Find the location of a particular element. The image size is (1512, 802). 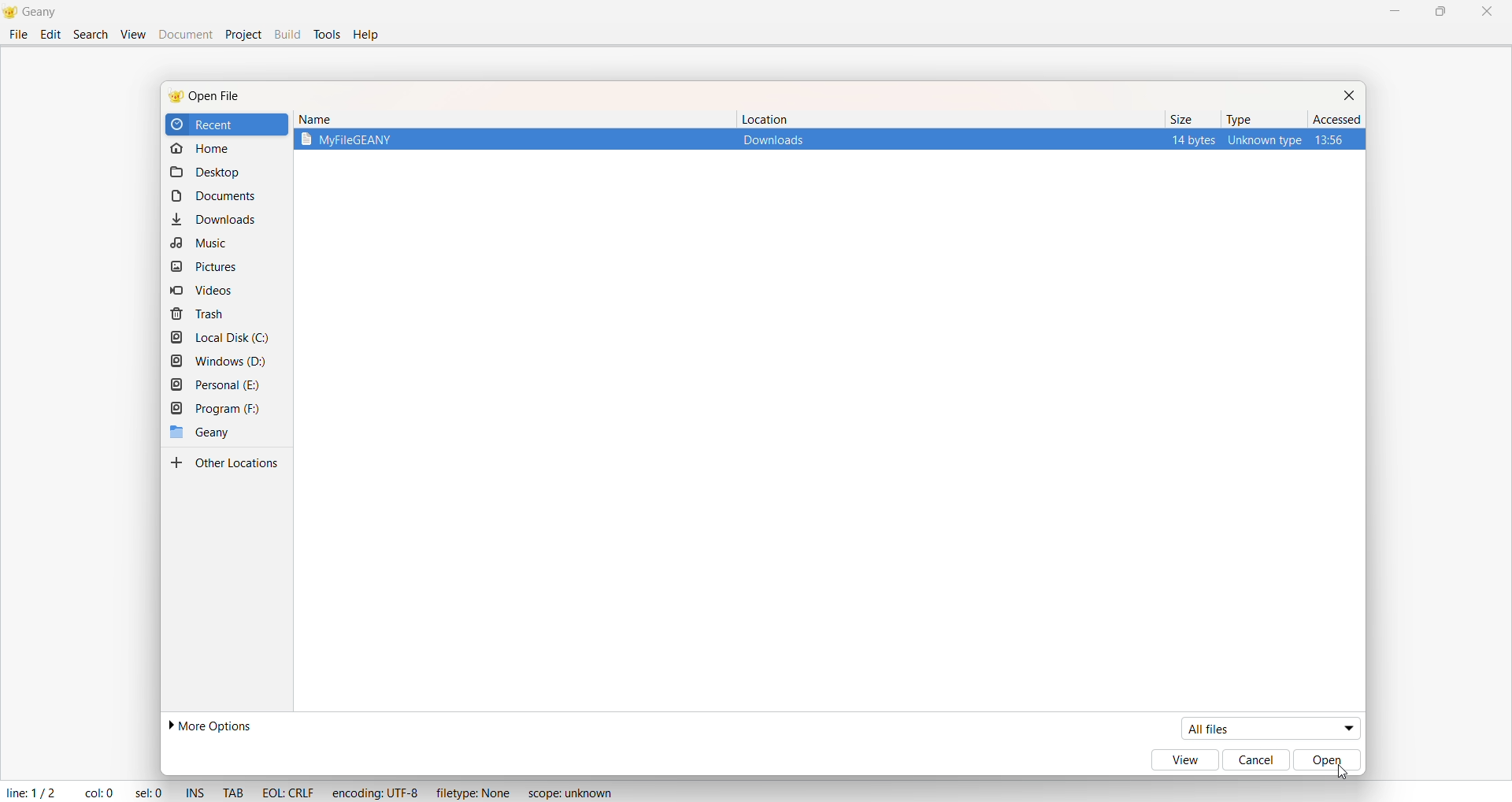

open is located at coordinates (1332, 760).